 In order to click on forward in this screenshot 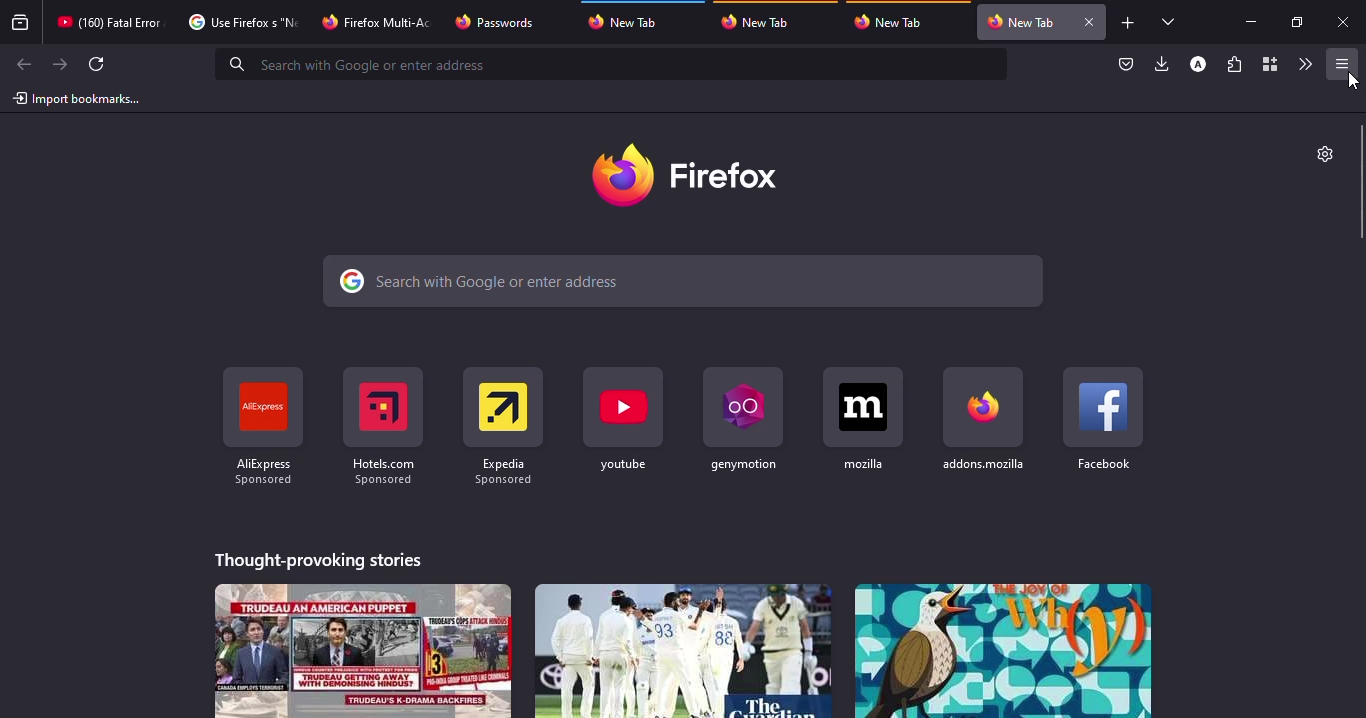, I will do `click(60, 64)`.